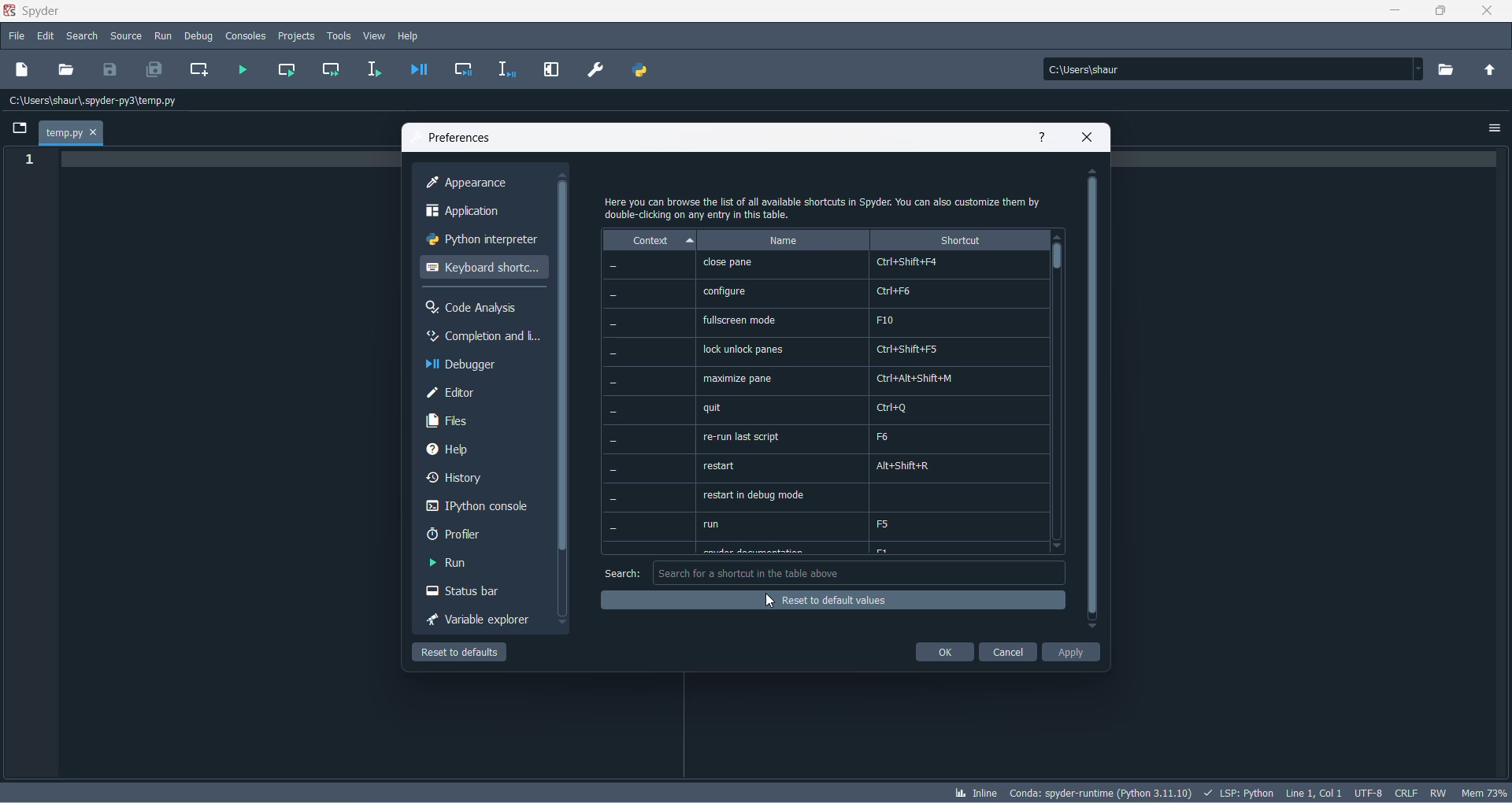 The width and height of the screenshot is (1512, 803). What do you see at coordinates (1093, 171) in the screenshot?
I see `move up` at bounding box center [1093, 171].